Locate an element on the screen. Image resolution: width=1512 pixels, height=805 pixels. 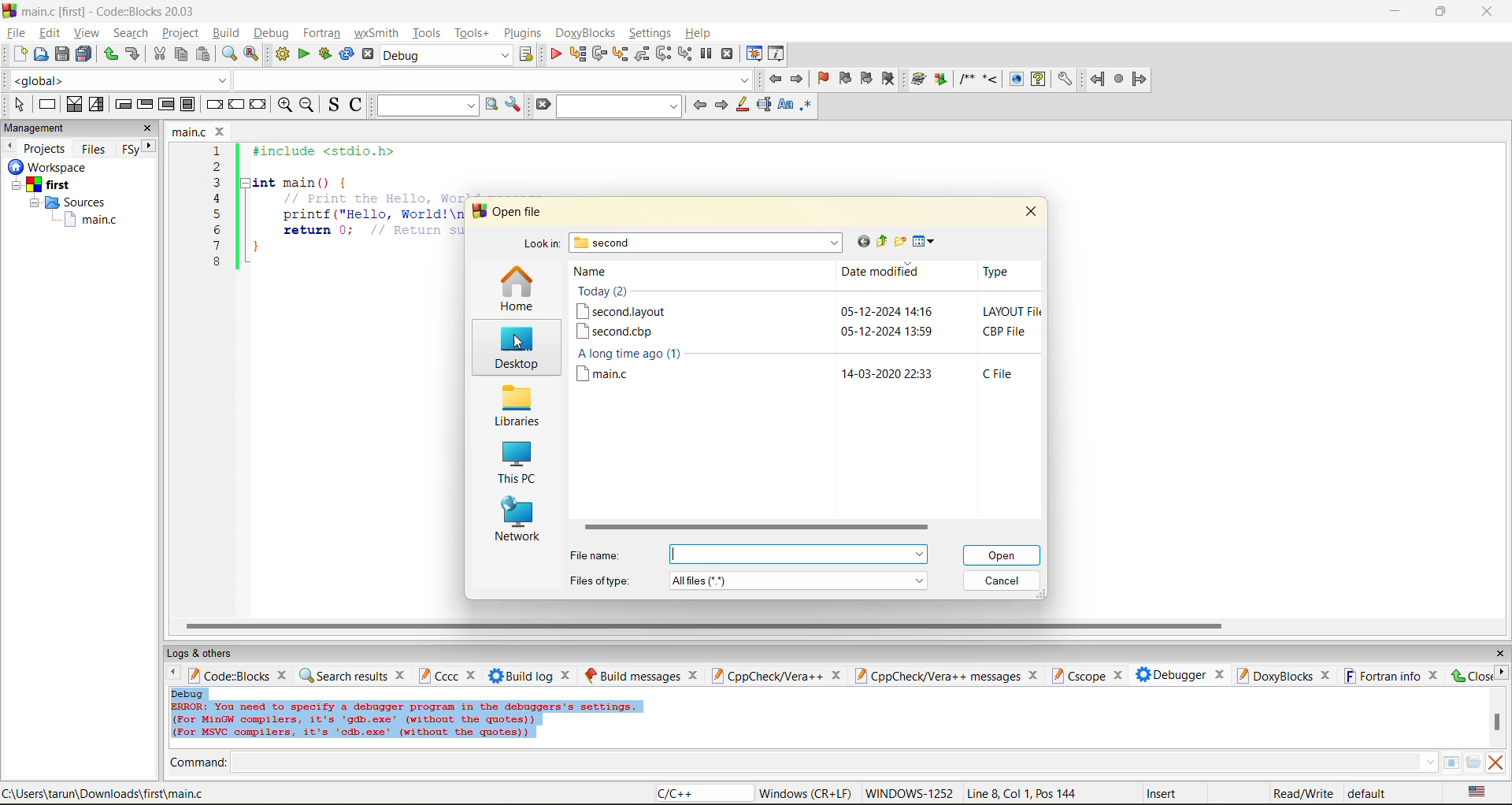
Today(2) is located at coordinates (617, 292).